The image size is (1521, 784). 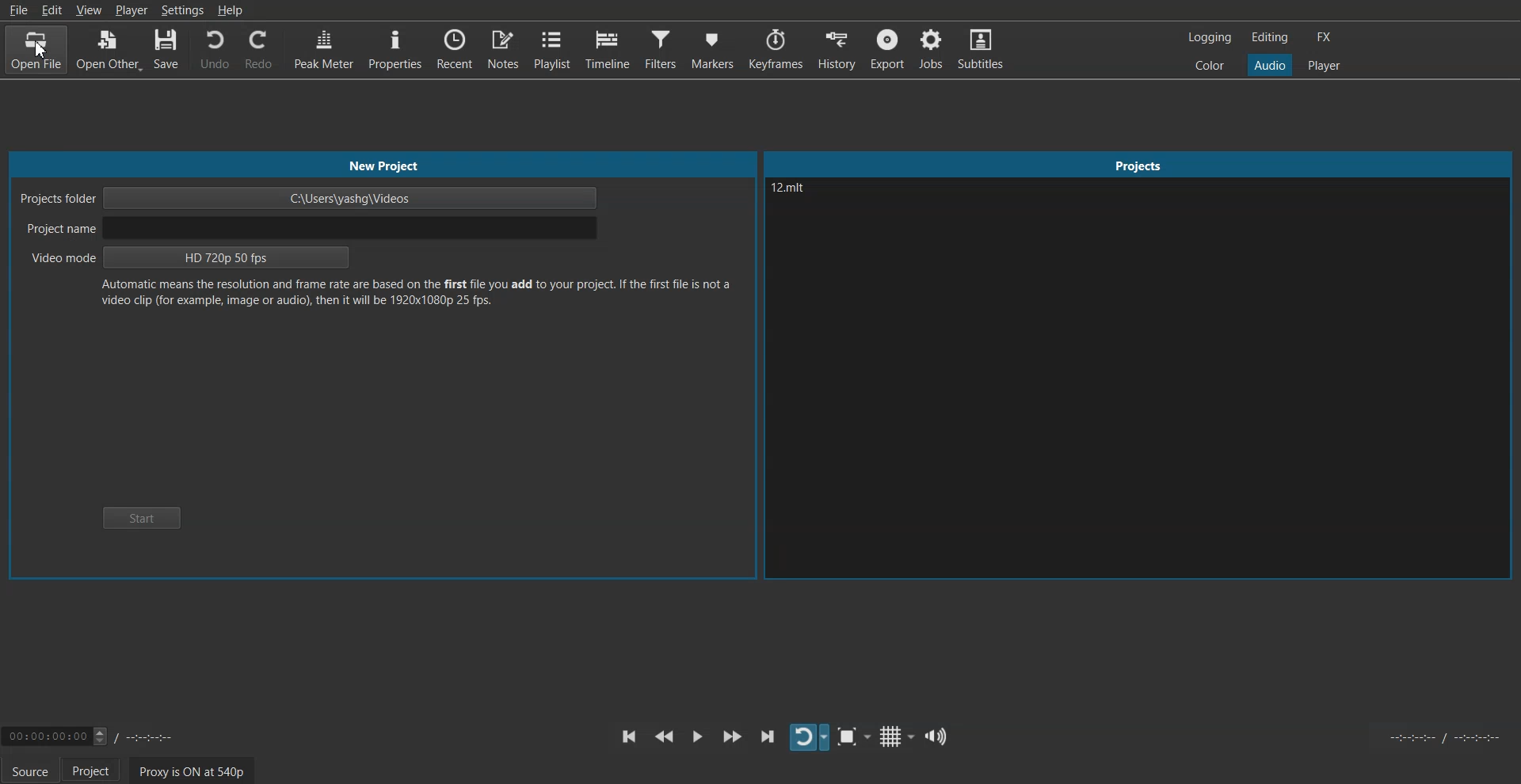 I want to click on Project, so click(x=96, y=771).